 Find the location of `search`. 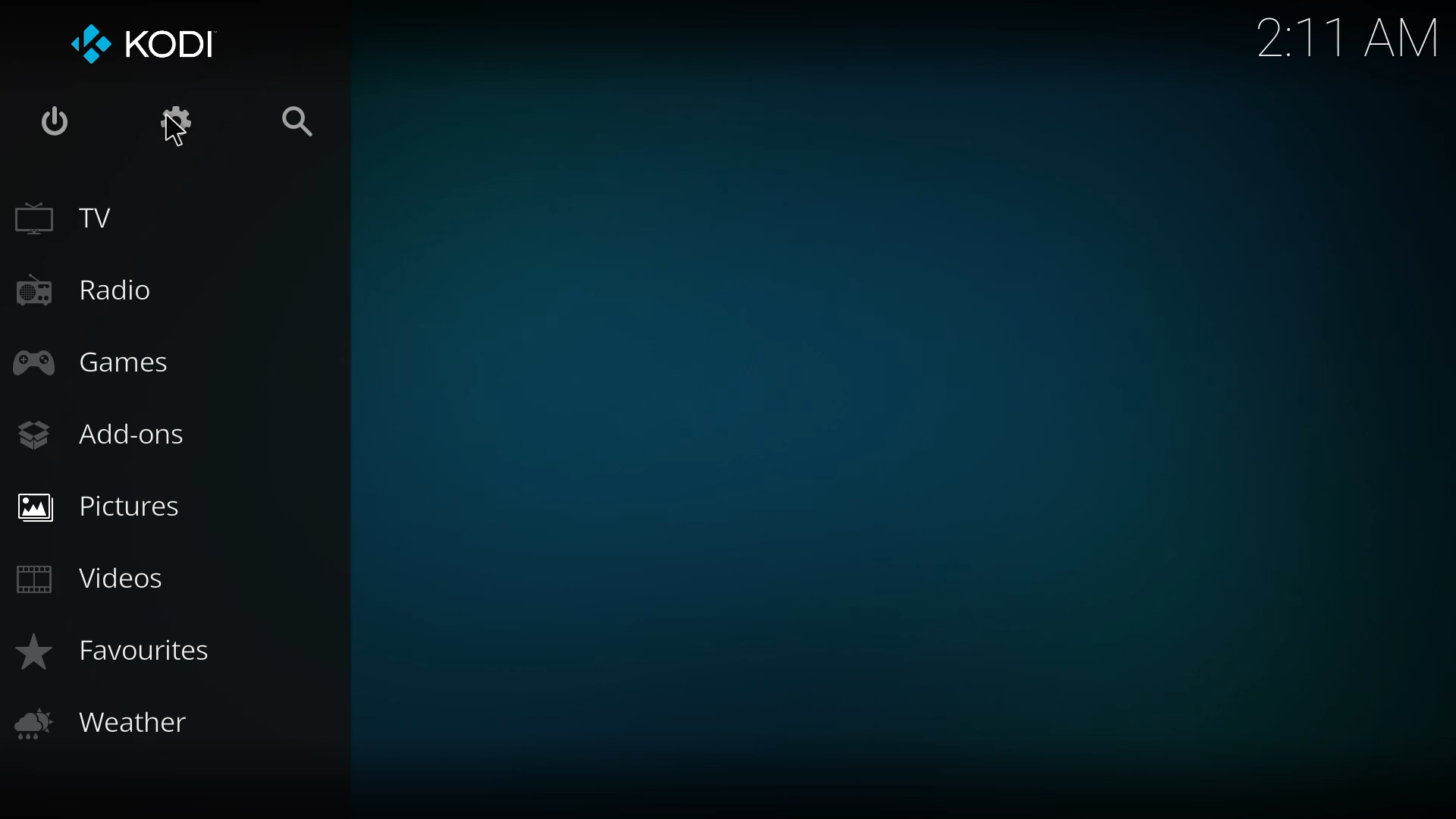

search is located at coordinates (296, 119).